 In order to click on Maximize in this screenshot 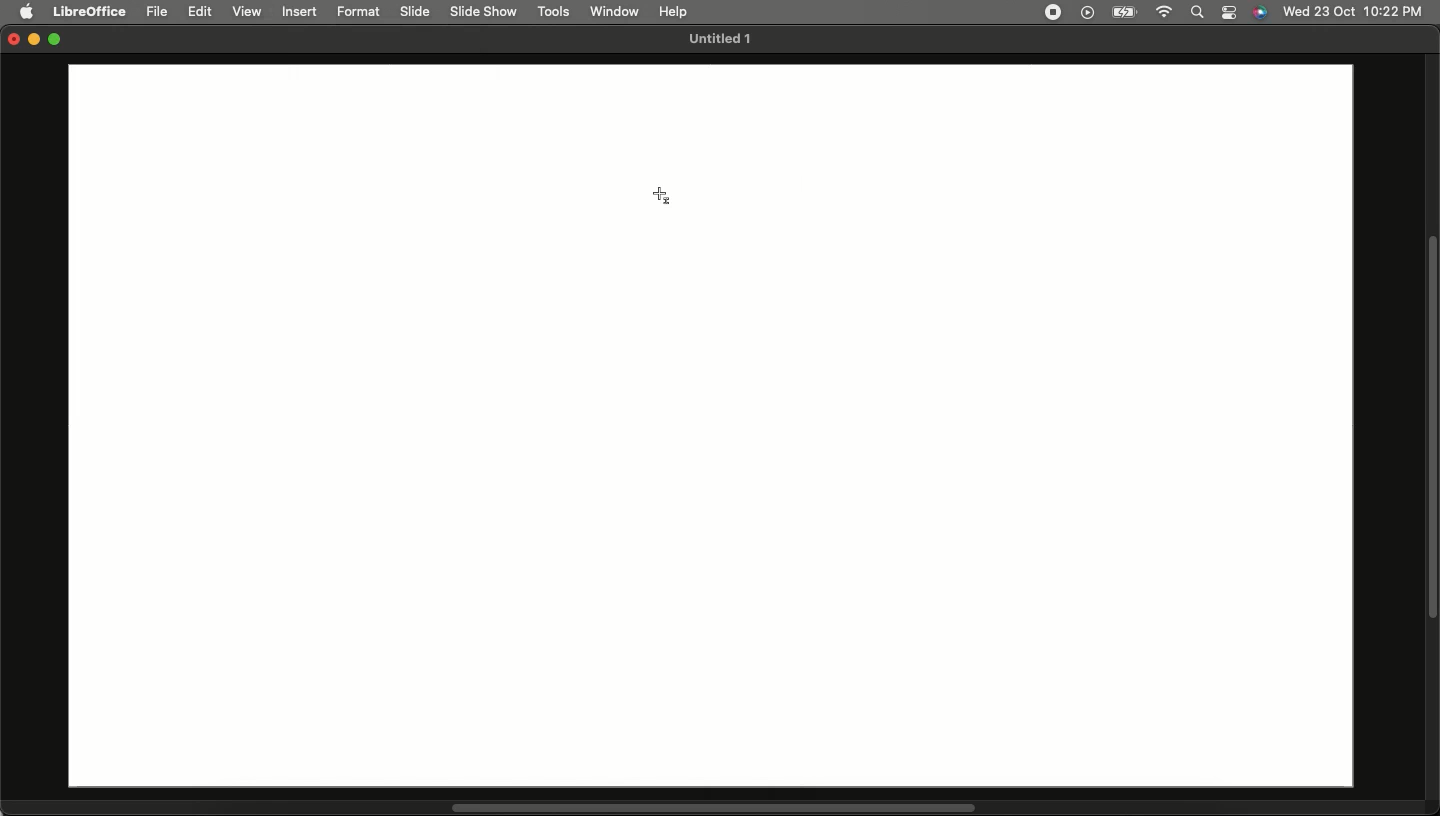, I will do `click(58, 41)`.